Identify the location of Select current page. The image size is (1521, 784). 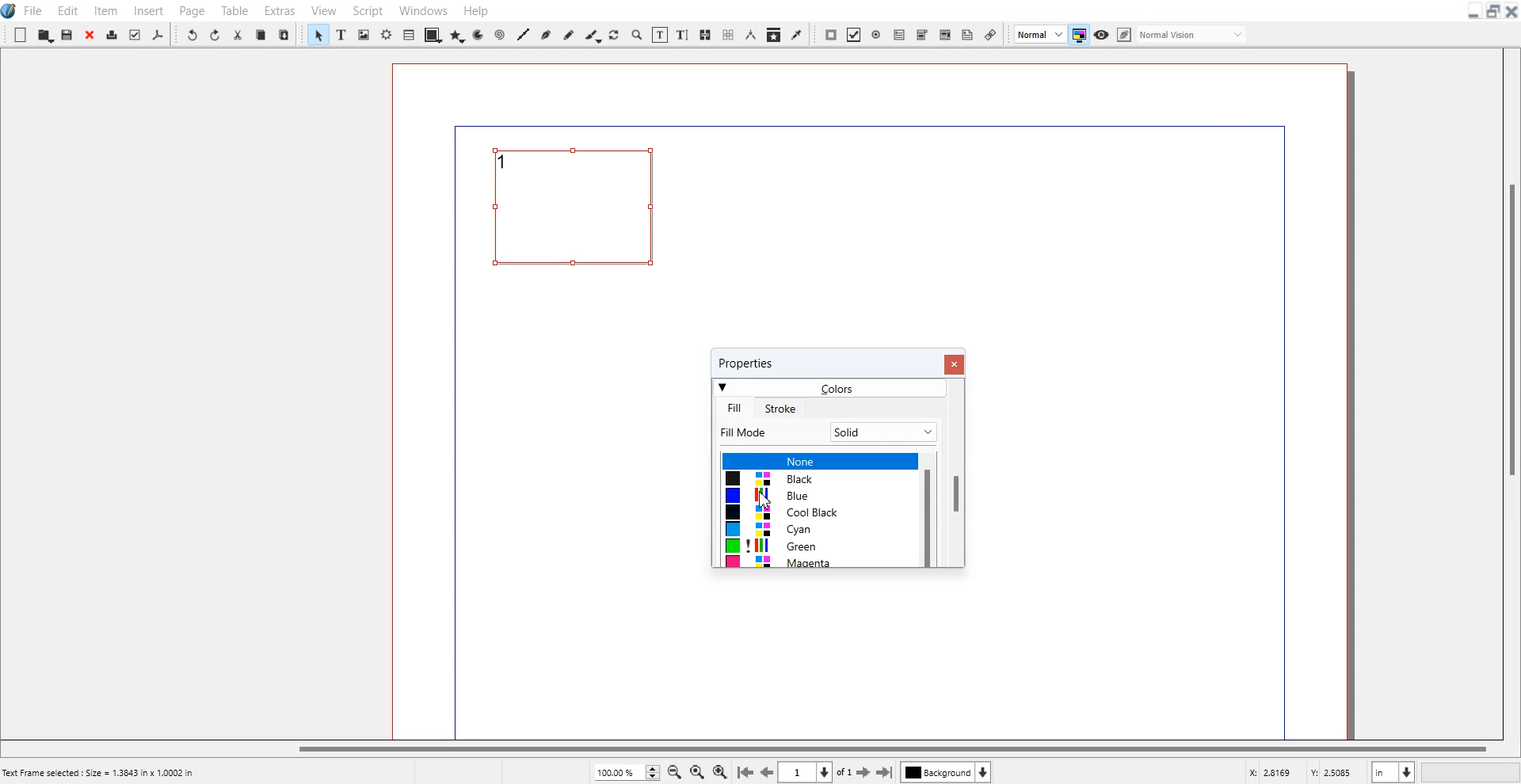
(814, 772).